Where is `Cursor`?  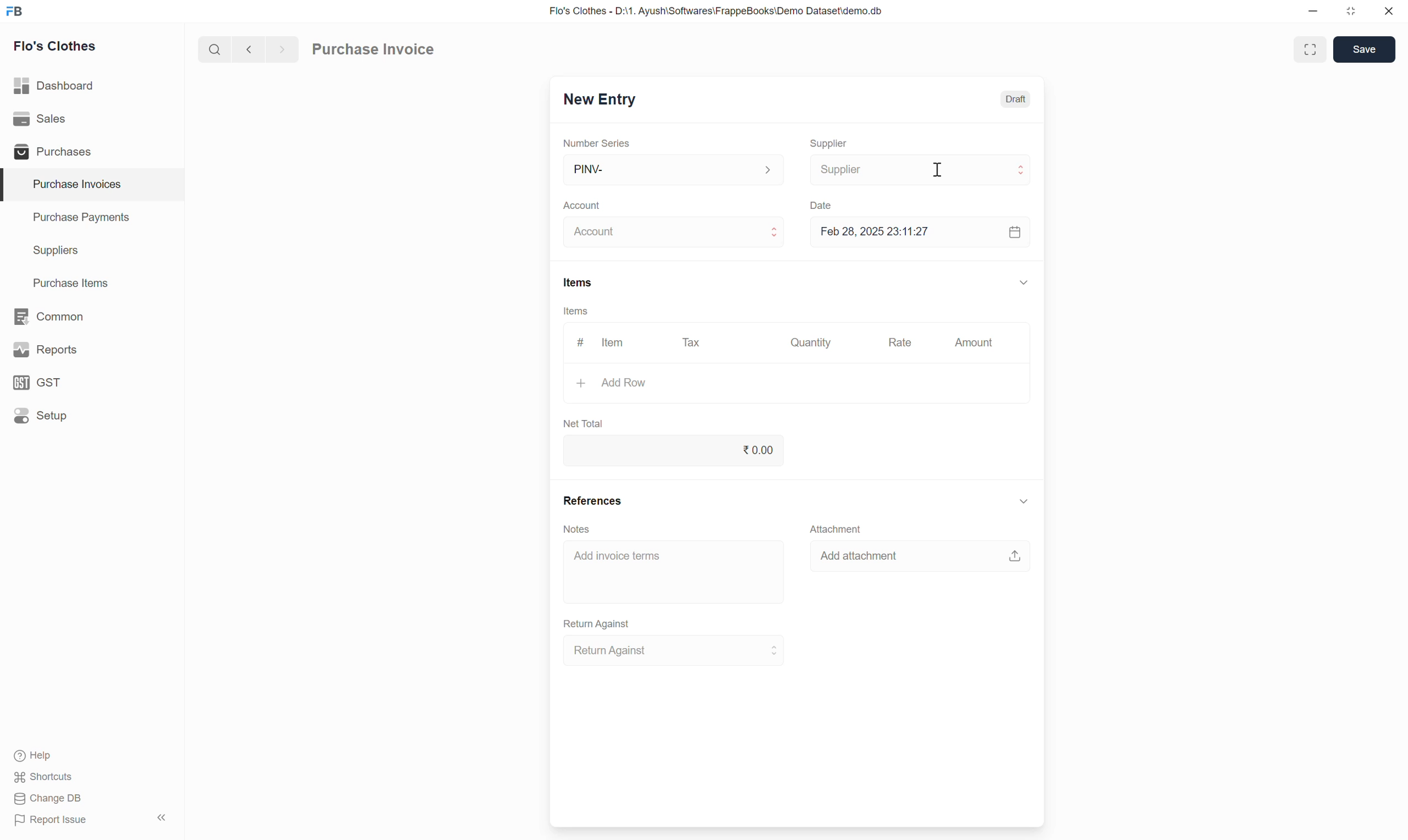 Cursor is located at coordinates (938, 170).